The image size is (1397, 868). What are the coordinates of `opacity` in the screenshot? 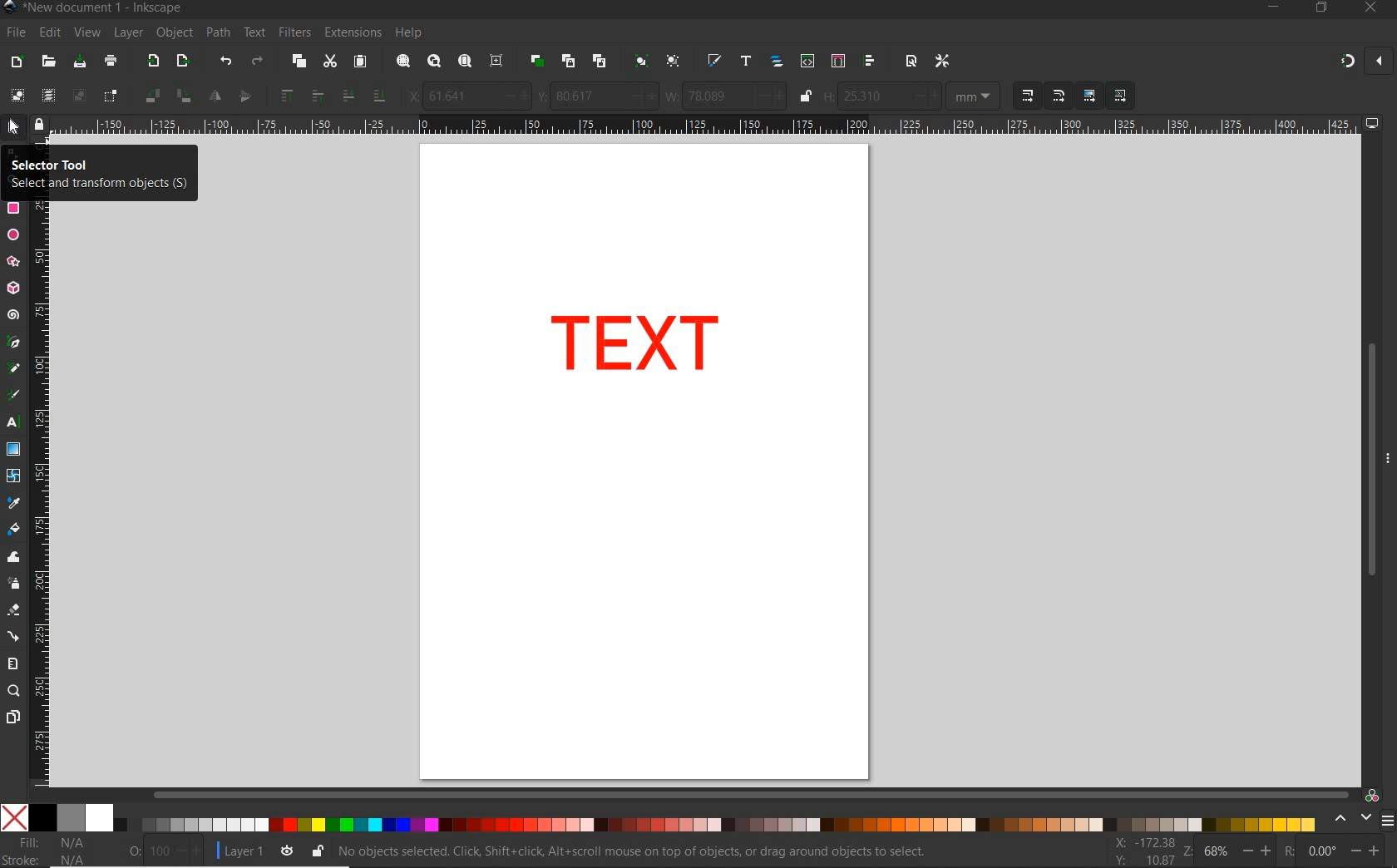 It's located at (153, 850).